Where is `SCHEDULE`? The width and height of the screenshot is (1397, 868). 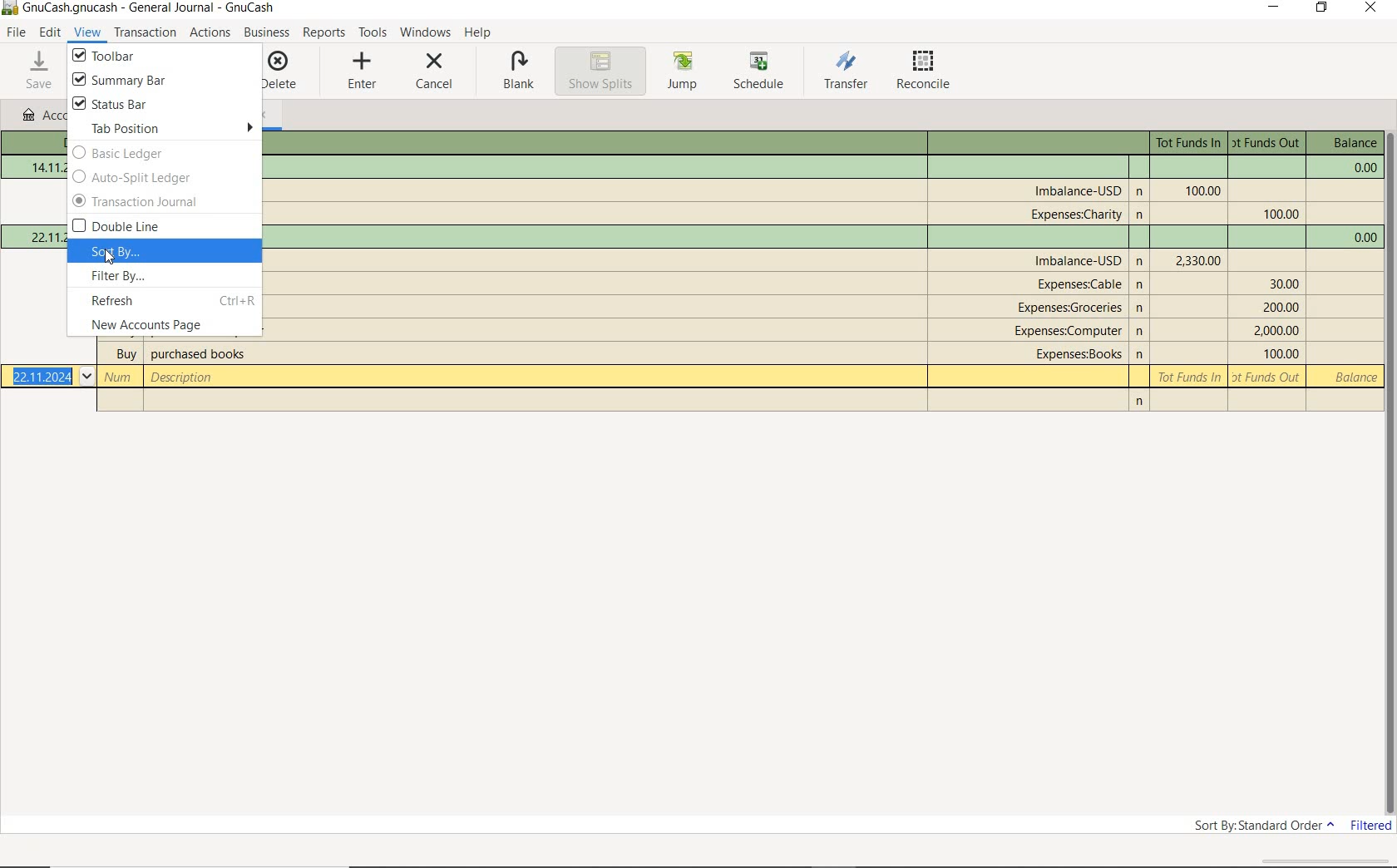 SCHEDULE is located at coordinates (761, 72).